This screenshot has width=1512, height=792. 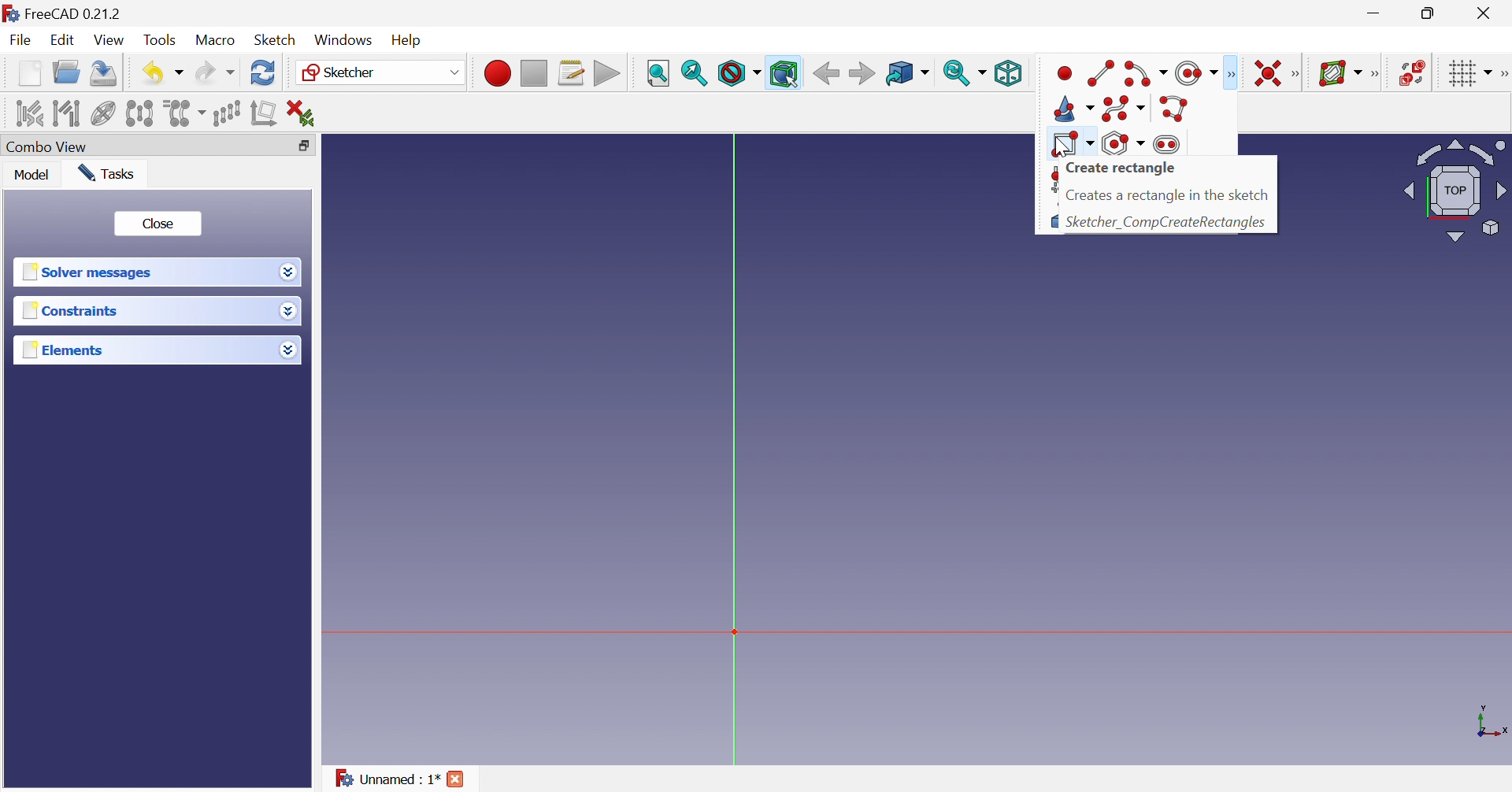 I want to click on Select associated geometry, so click(x=67, y=113).